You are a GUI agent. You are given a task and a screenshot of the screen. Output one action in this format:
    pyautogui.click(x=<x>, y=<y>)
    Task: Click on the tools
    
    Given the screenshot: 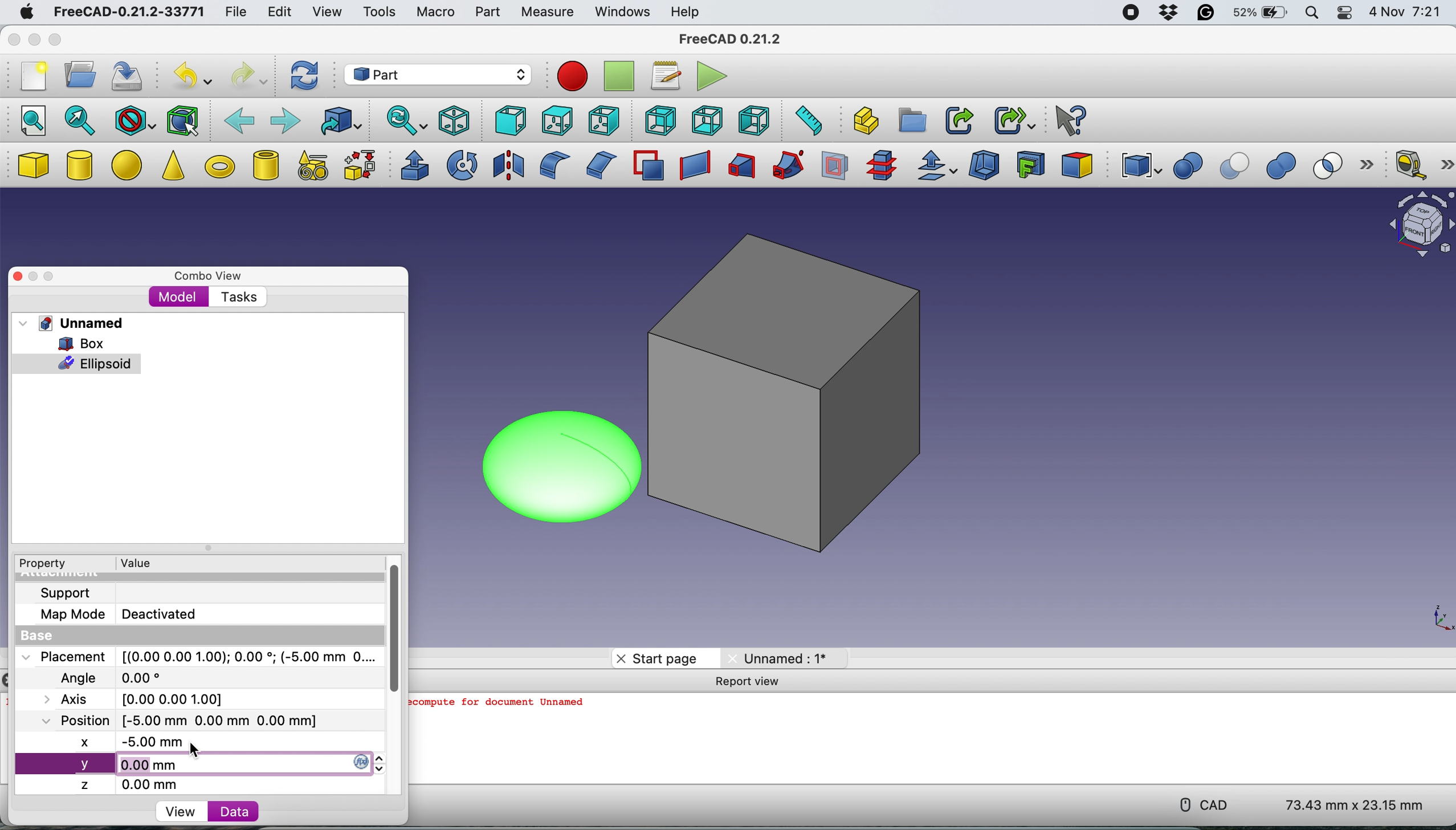 What is the action you would take?
    pyautogui.click(x=382, y=15)
    